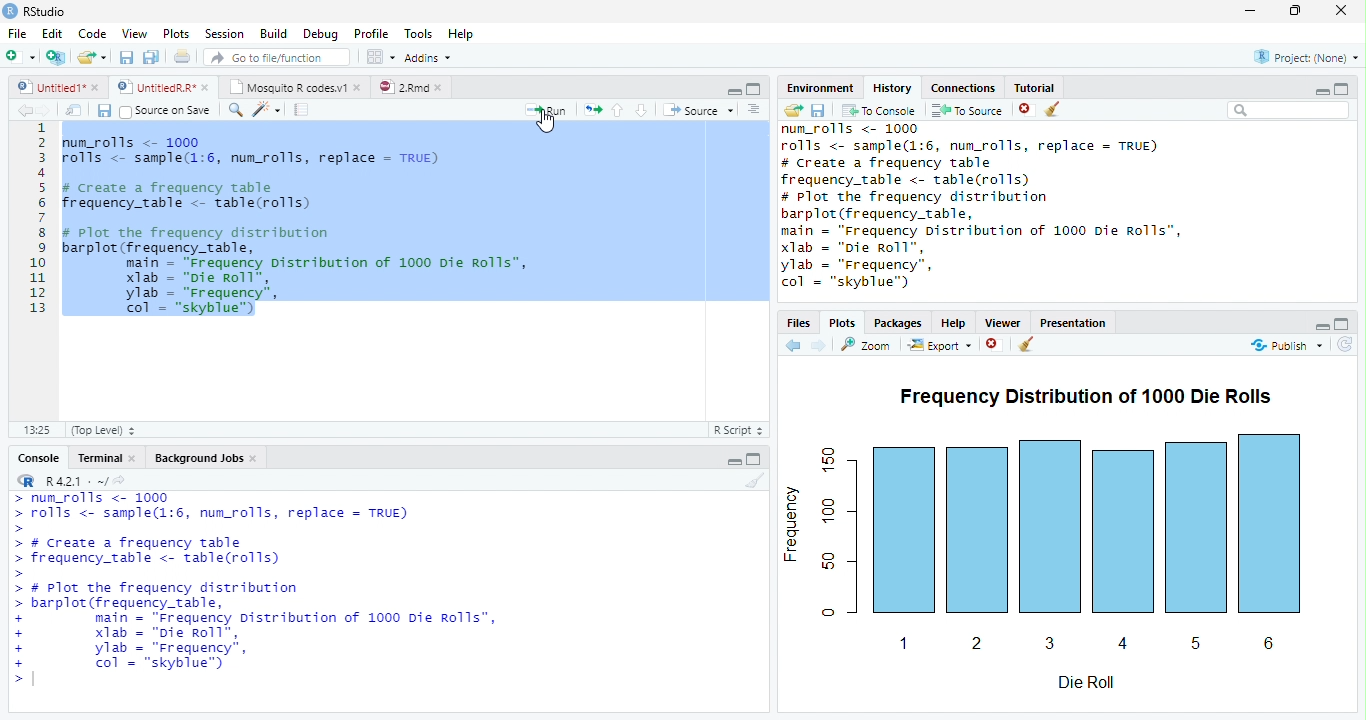  I want to click on 5, so click(1197, 643).